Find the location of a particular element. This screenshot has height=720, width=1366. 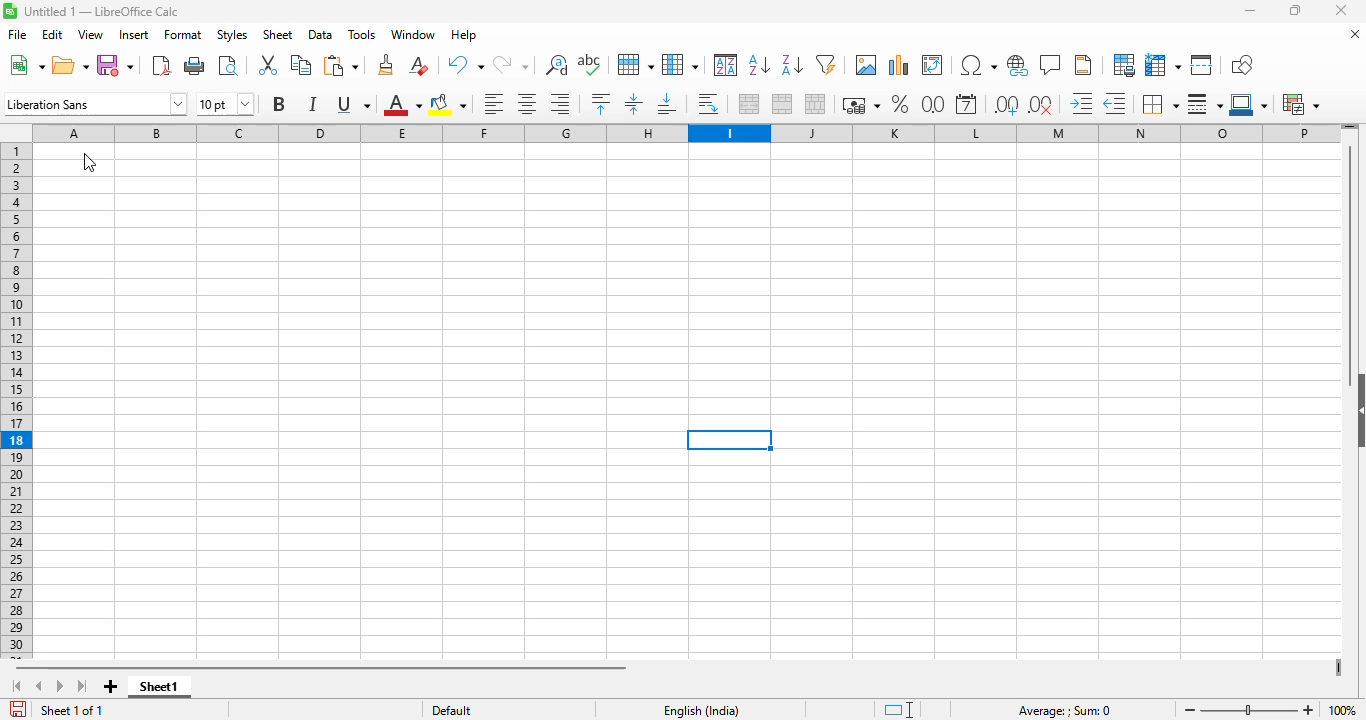

zoom factor is located at coordinates (1342, 711).